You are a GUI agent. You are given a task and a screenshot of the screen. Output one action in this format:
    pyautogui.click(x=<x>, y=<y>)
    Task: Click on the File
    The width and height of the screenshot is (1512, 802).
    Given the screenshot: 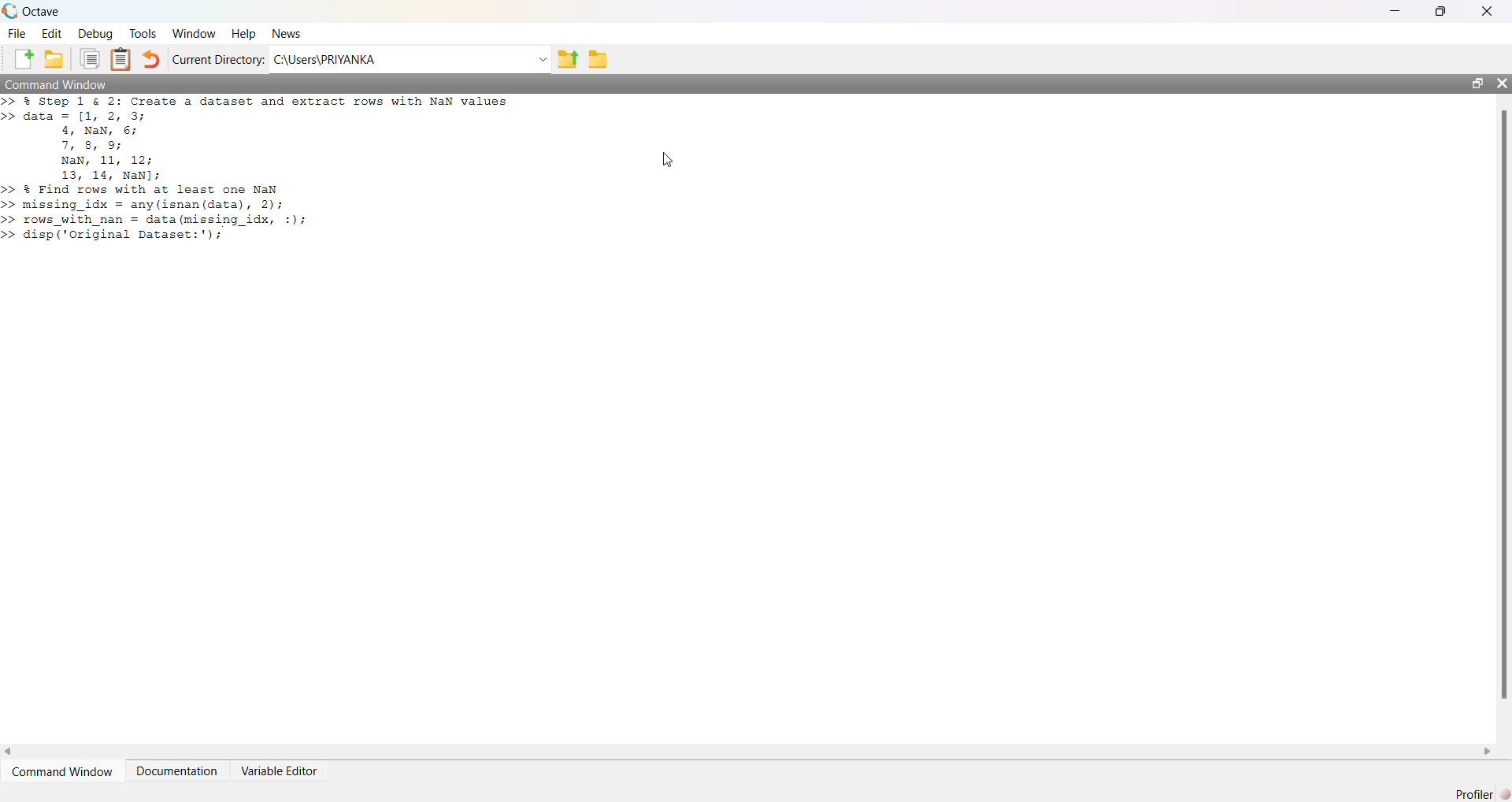 What is the action you would take?
    pyautogui.click(x=17, y=34)
    